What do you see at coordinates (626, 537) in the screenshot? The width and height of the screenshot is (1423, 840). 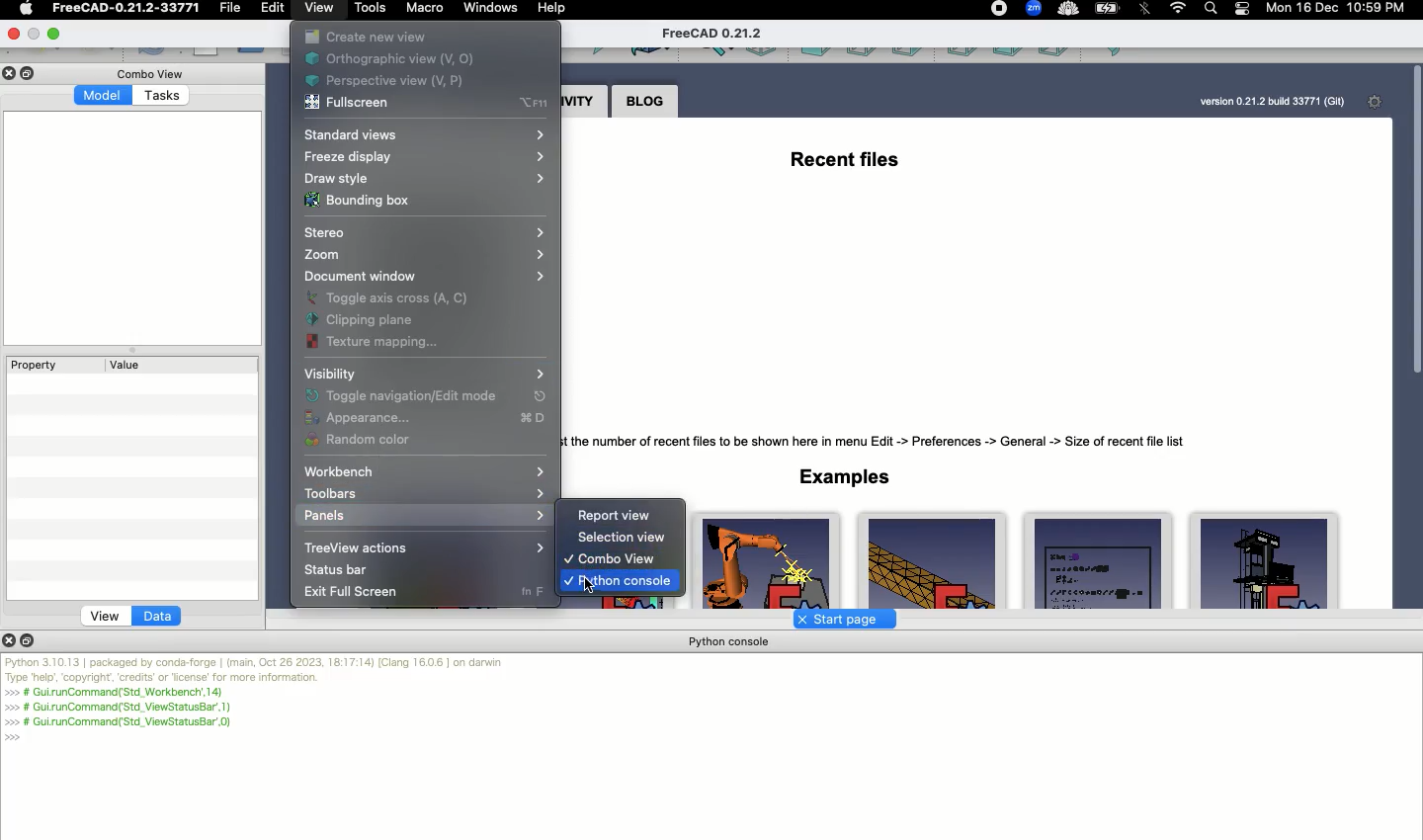 I see `Selection view` at bounding box center [626, 537].